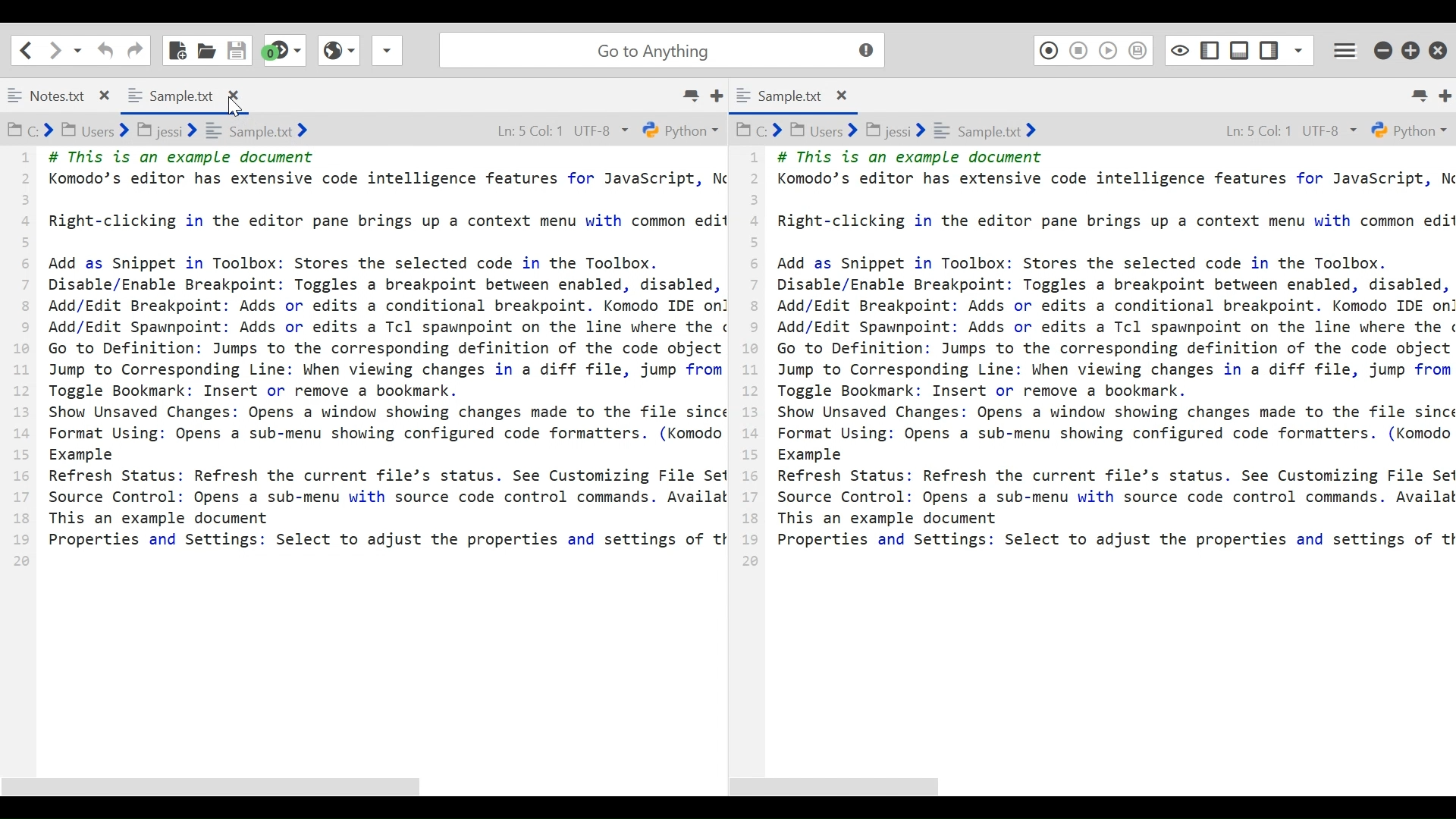  I want to click on Sample.txt, so click(181, 93).